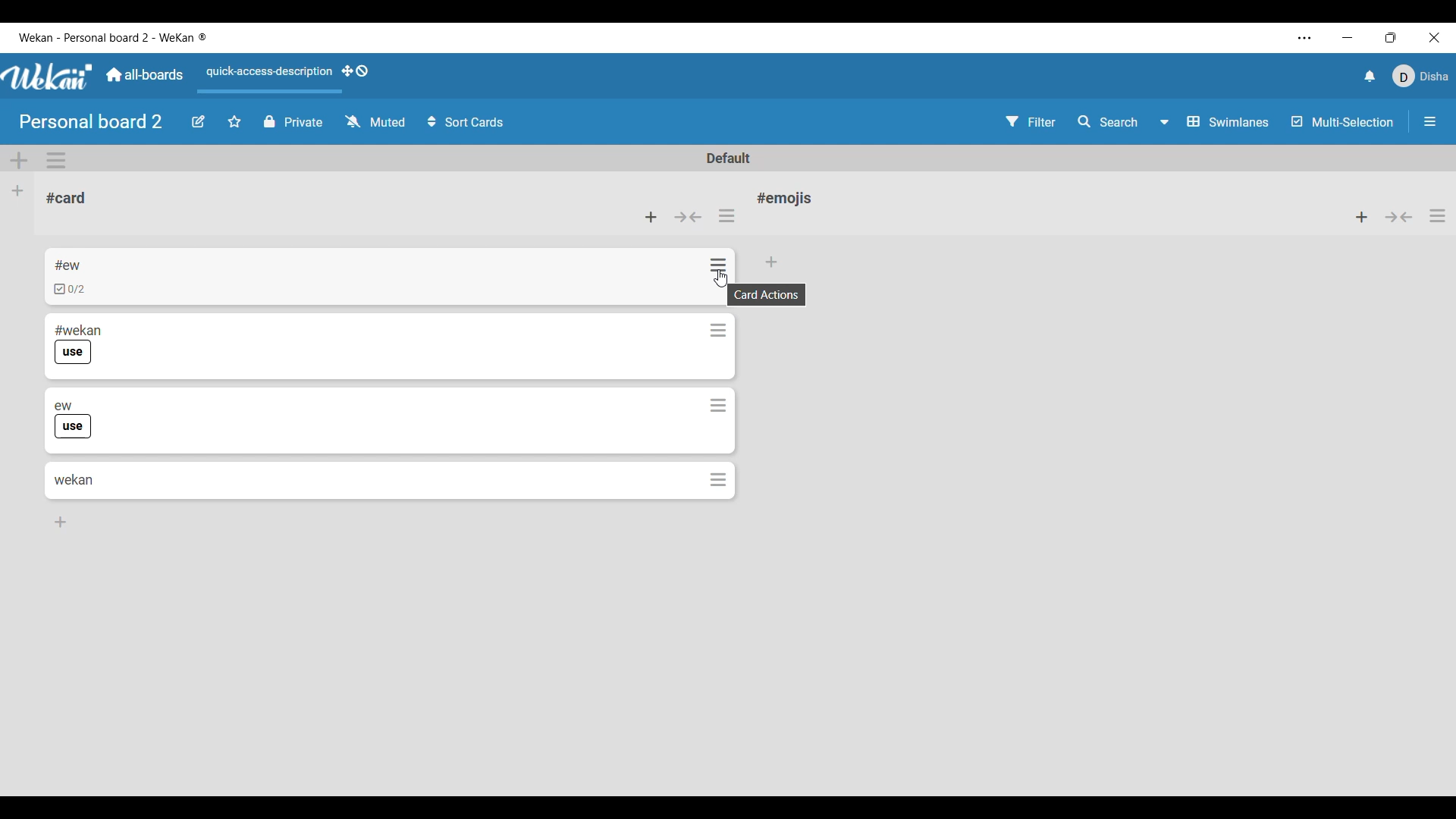  I want to click on Watch options, so click(376, 121).